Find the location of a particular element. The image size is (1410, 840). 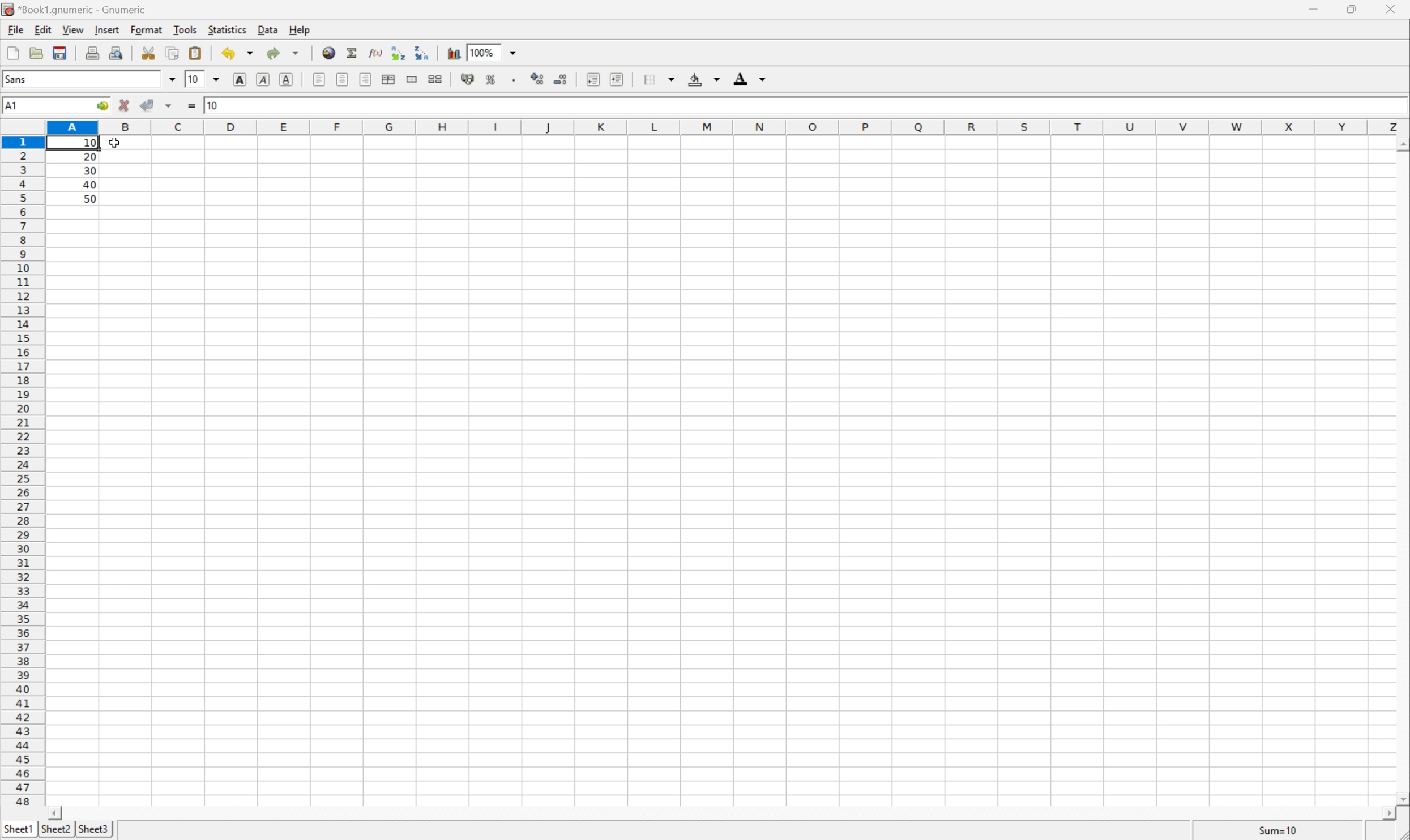

Bold is located at coordinates (240, 79).